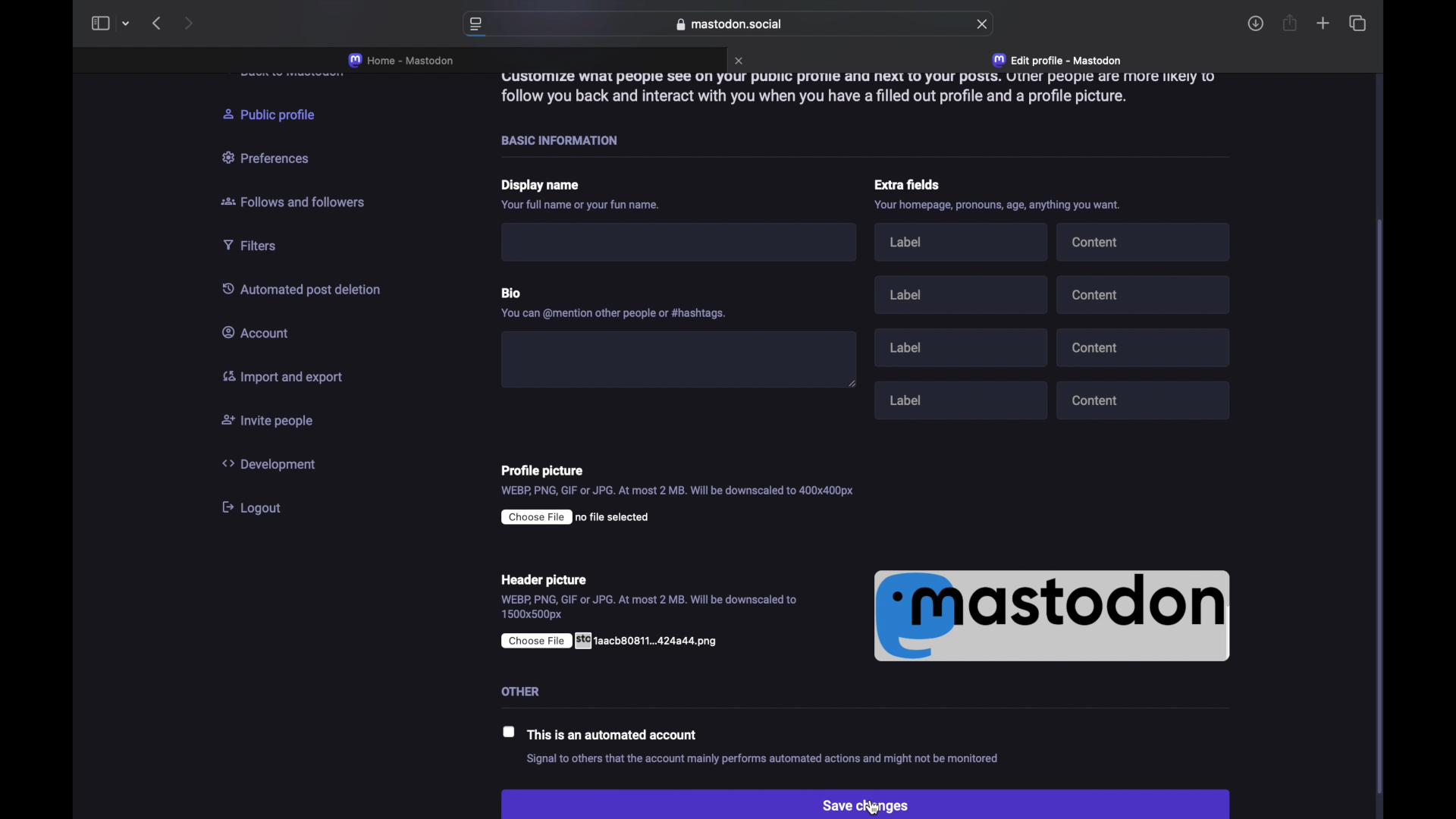 The image size is (1456, 819). I want to click on Profile picture, so click(548, 472).